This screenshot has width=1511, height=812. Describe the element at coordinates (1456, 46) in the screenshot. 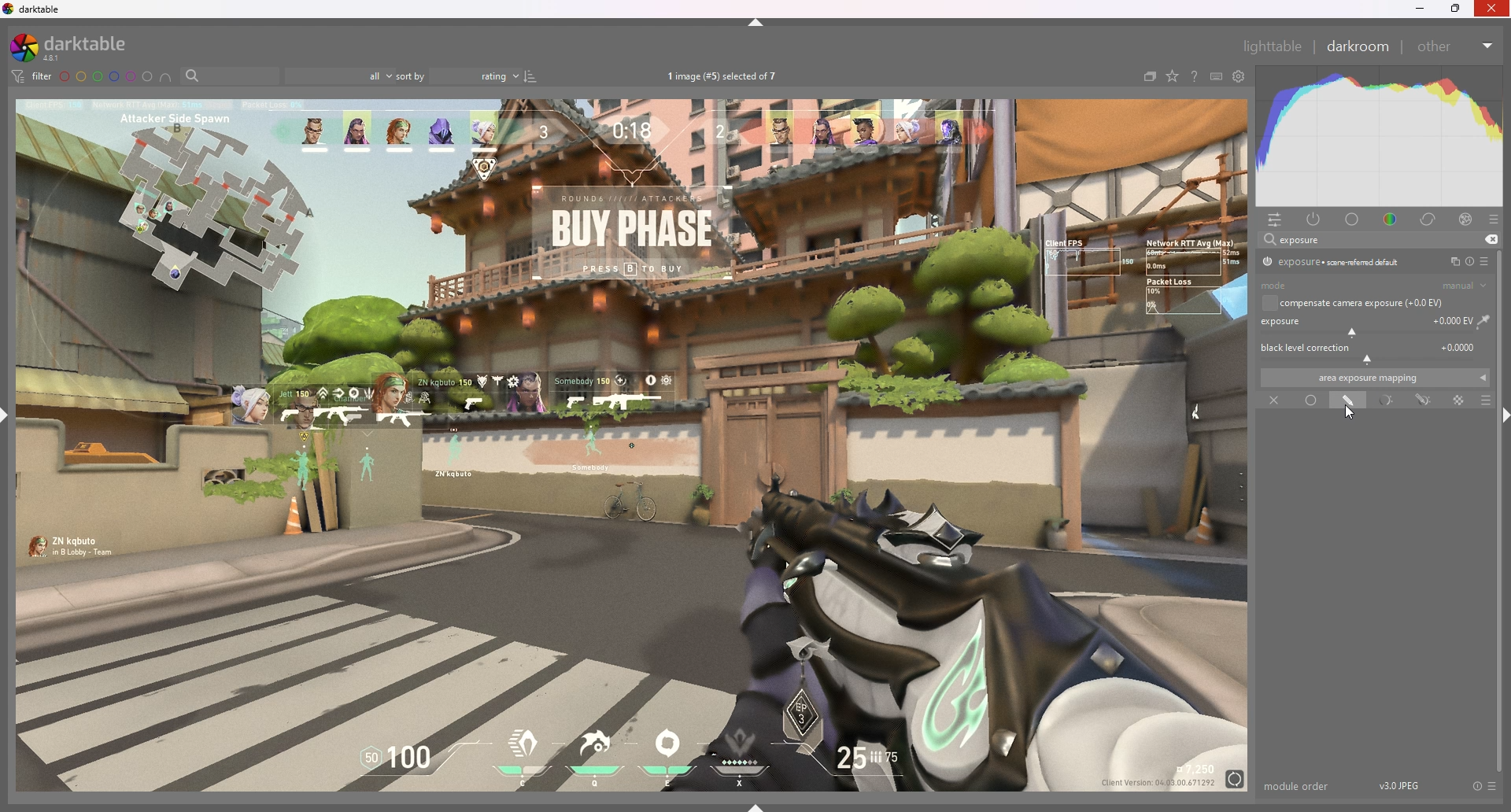

I see `other` at that location.